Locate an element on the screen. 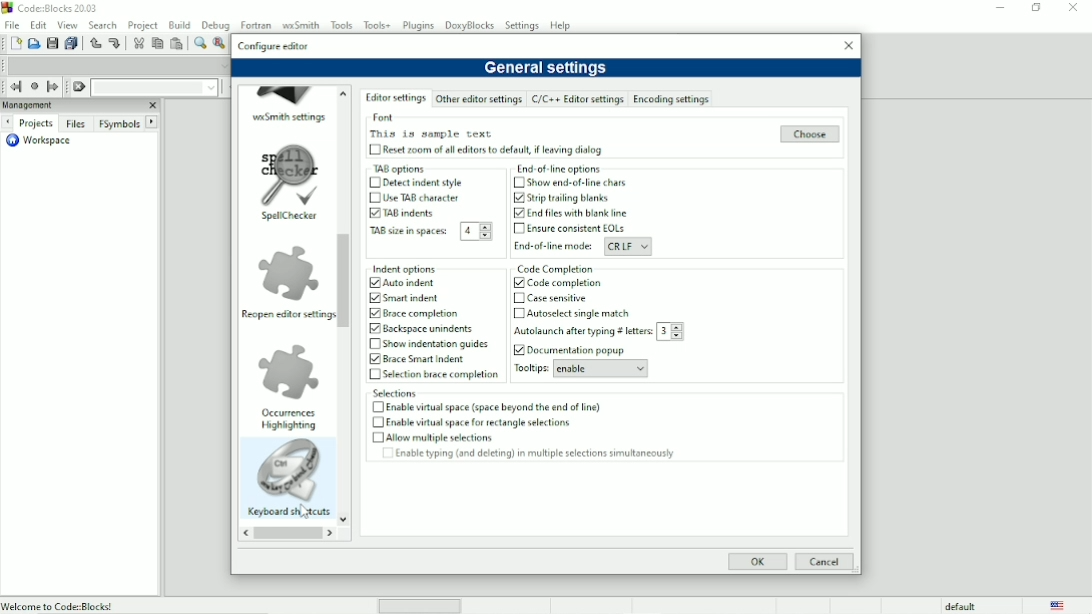 This screenshot has width=1092, height=614. reverse is located at coordinates (244, 534).